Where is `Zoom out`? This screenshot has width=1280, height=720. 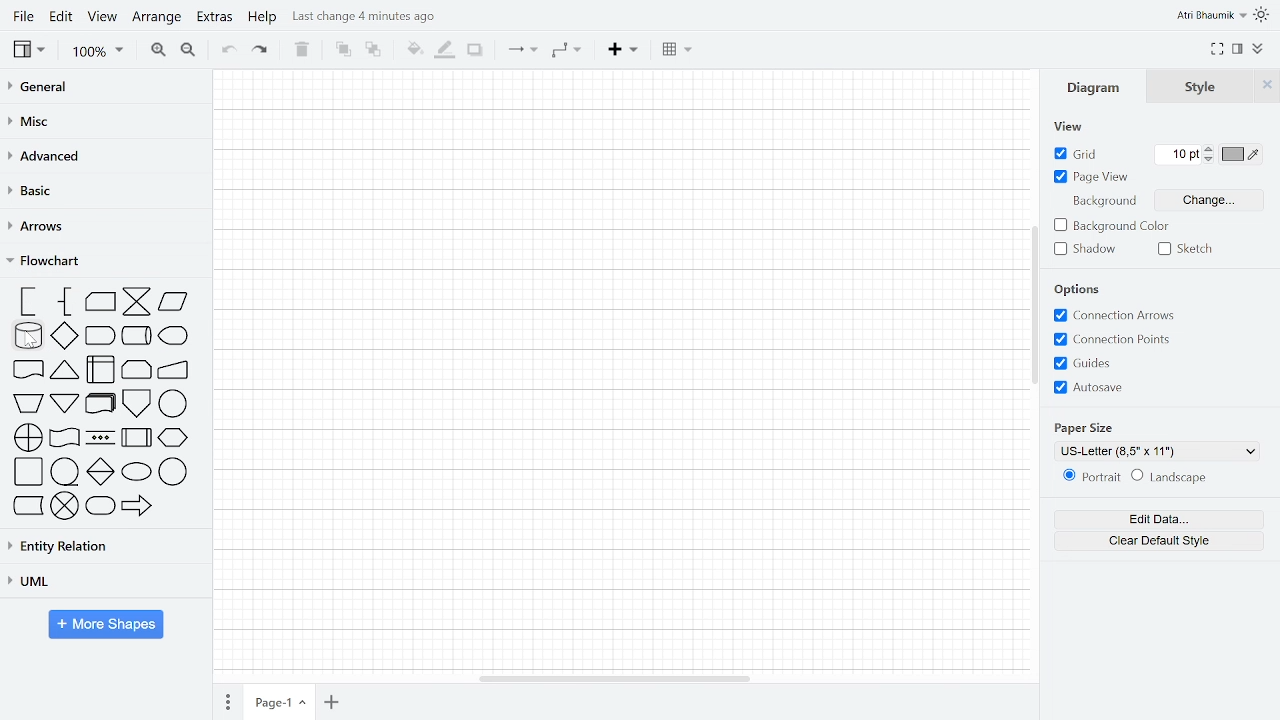
Zoom out is located at coordinates (189, 51).